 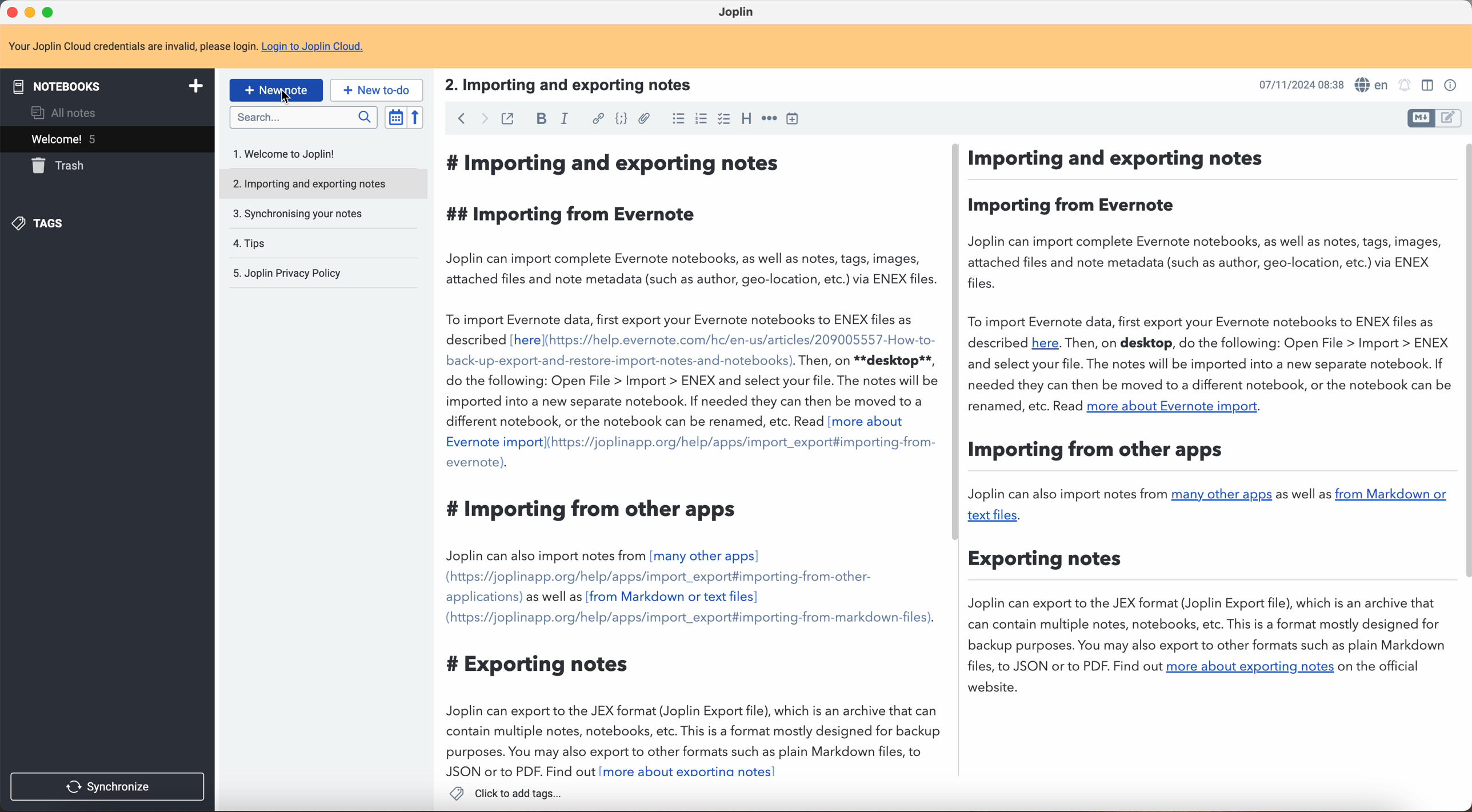 I want to click on checkbox, so click(x=724, y=119).